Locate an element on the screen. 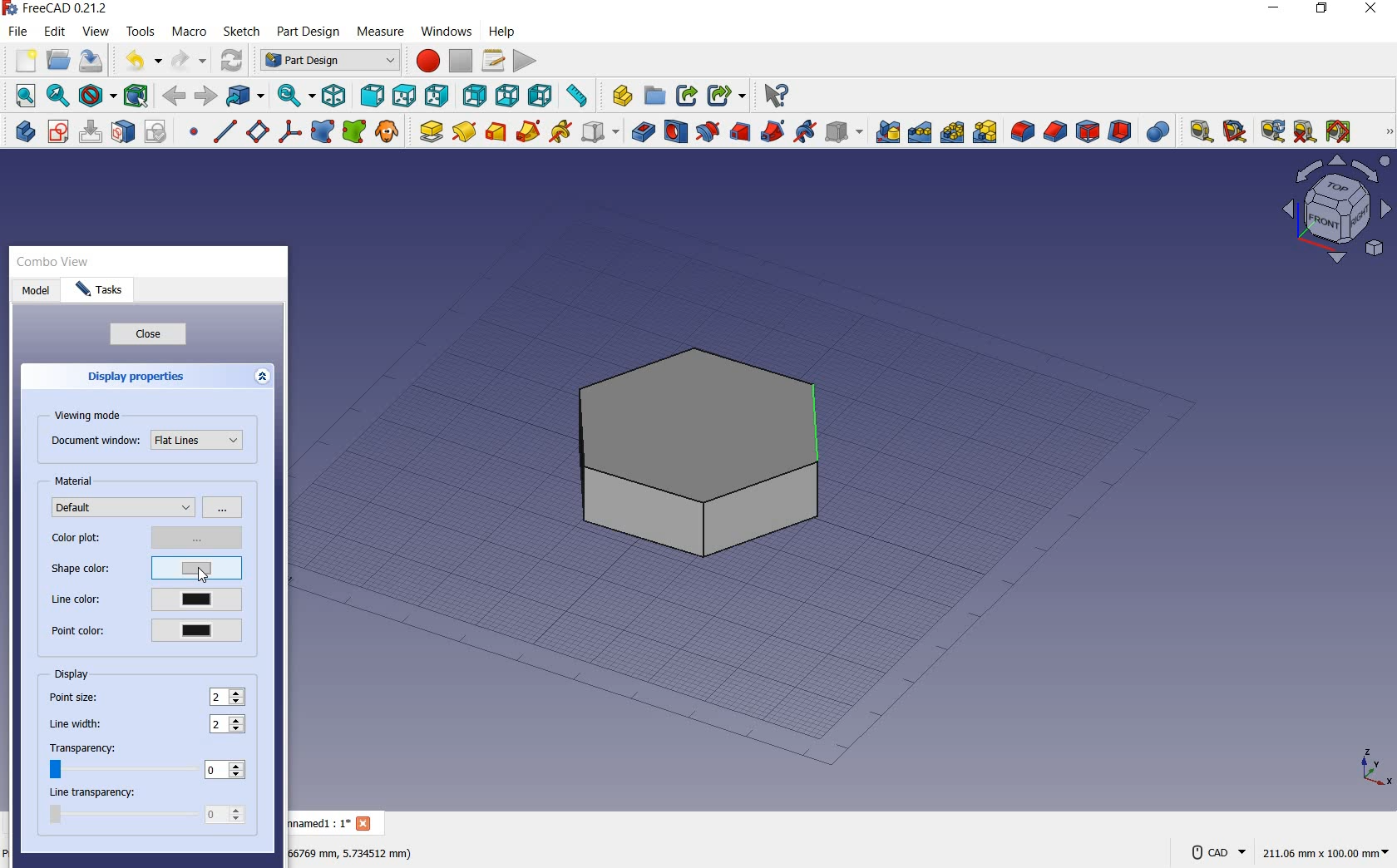  subtractive helix is located at coordinates (805, 133).